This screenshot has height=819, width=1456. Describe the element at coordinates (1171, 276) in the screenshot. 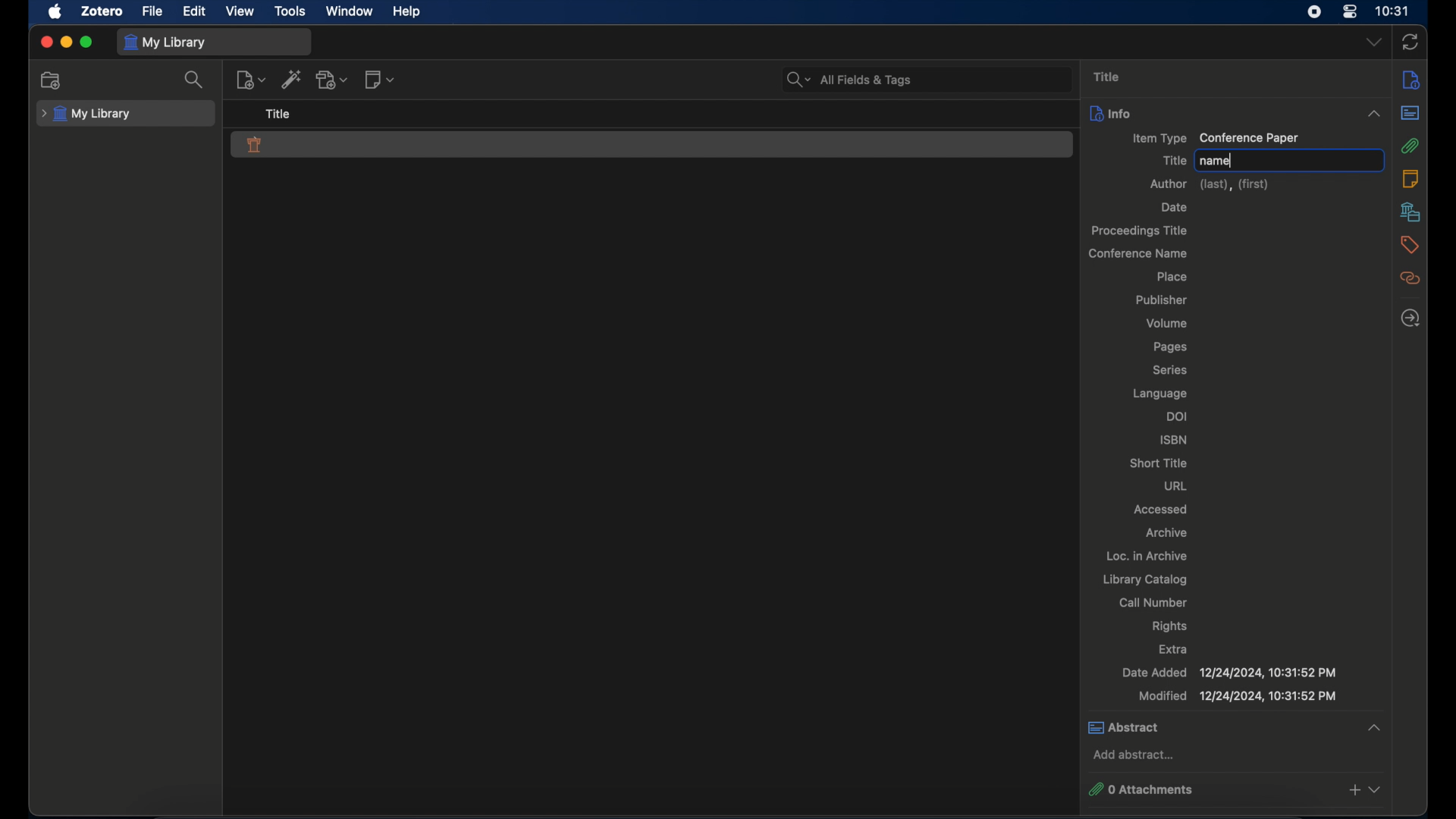

I see `place` at that location.